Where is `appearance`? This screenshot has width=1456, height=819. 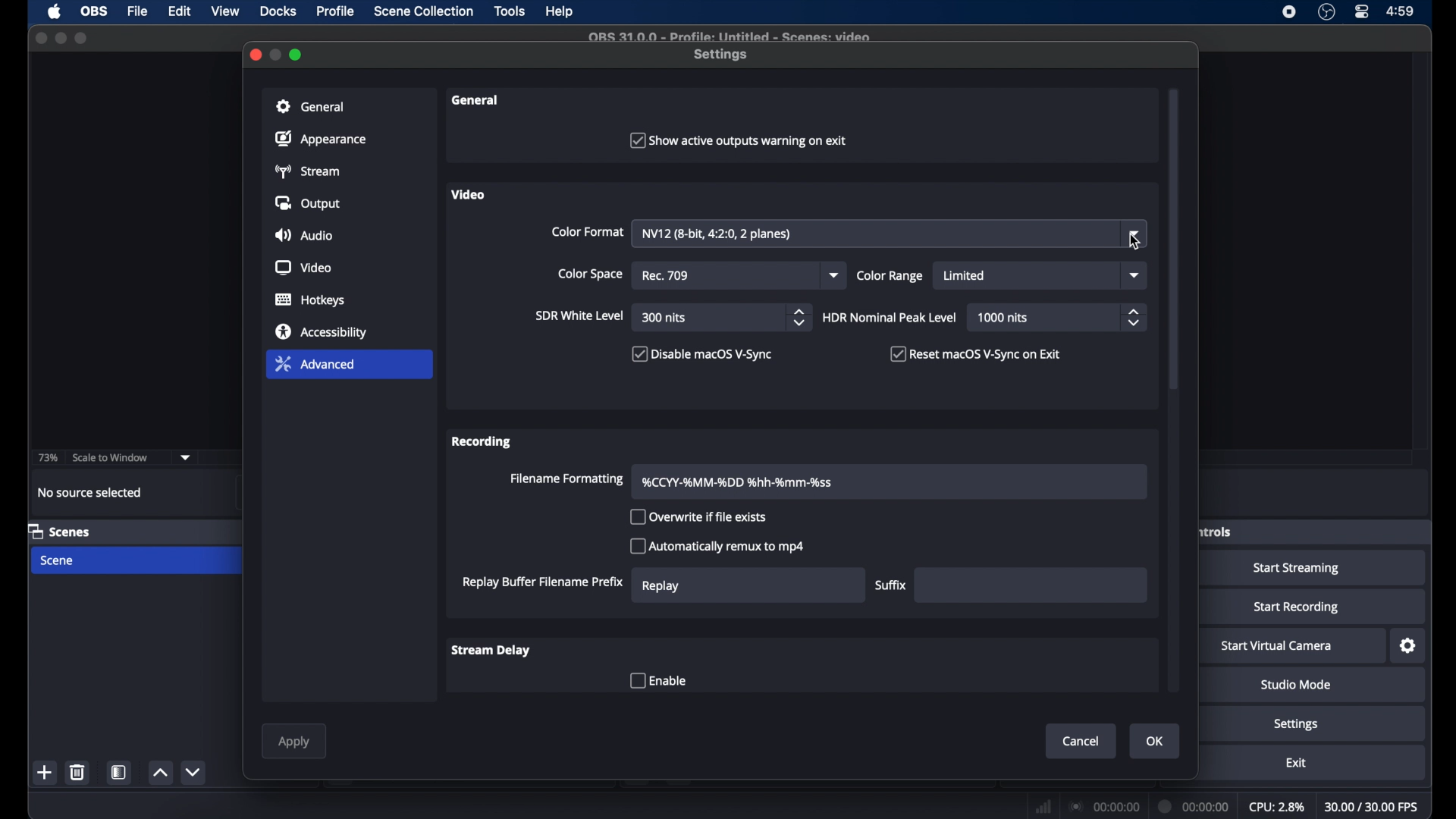
appearance is located at coordinates (322, 139).